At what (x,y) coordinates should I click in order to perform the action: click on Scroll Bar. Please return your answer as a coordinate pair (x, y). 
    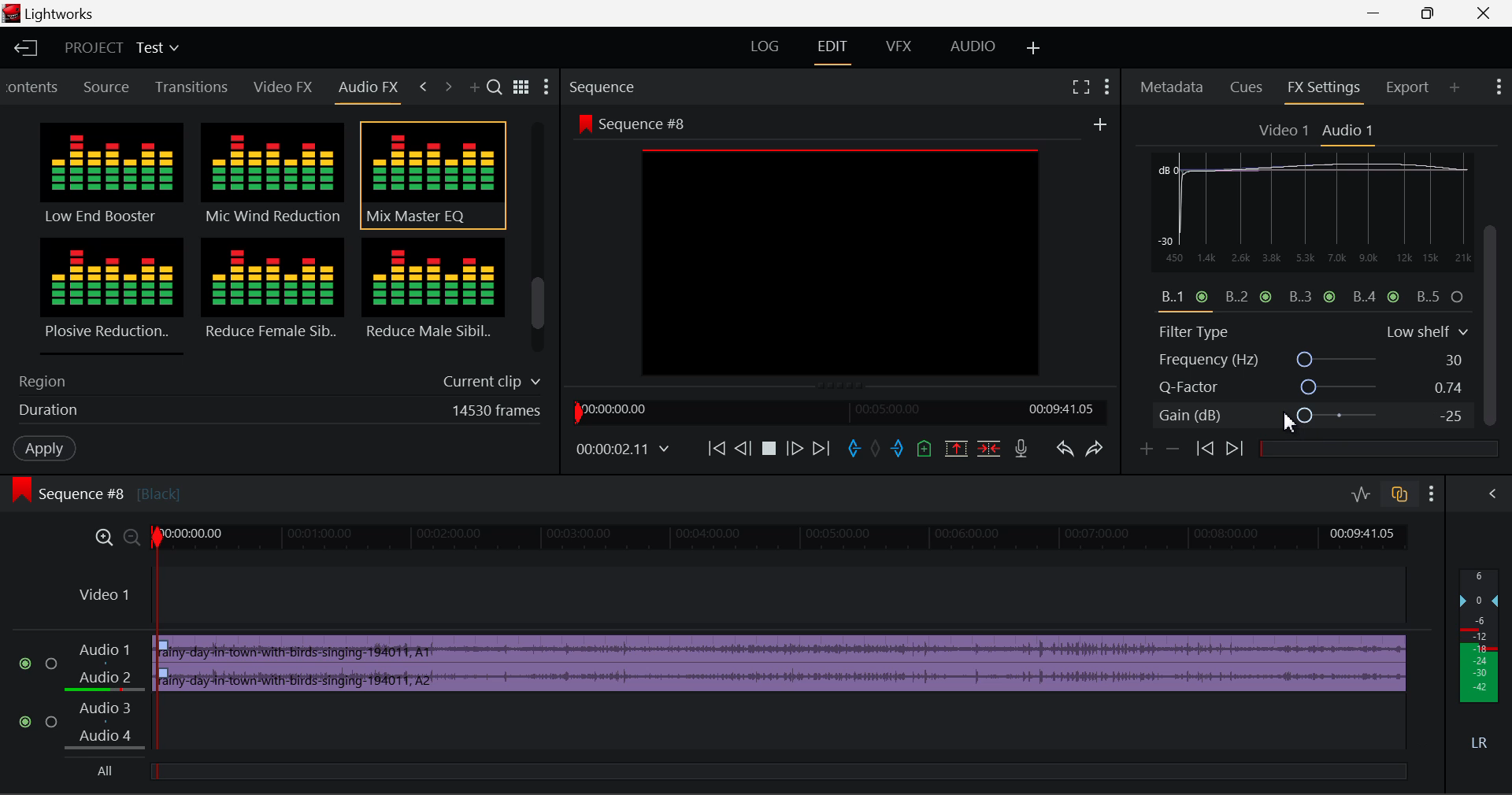
    Looking at the image, I should click on (539, 241).